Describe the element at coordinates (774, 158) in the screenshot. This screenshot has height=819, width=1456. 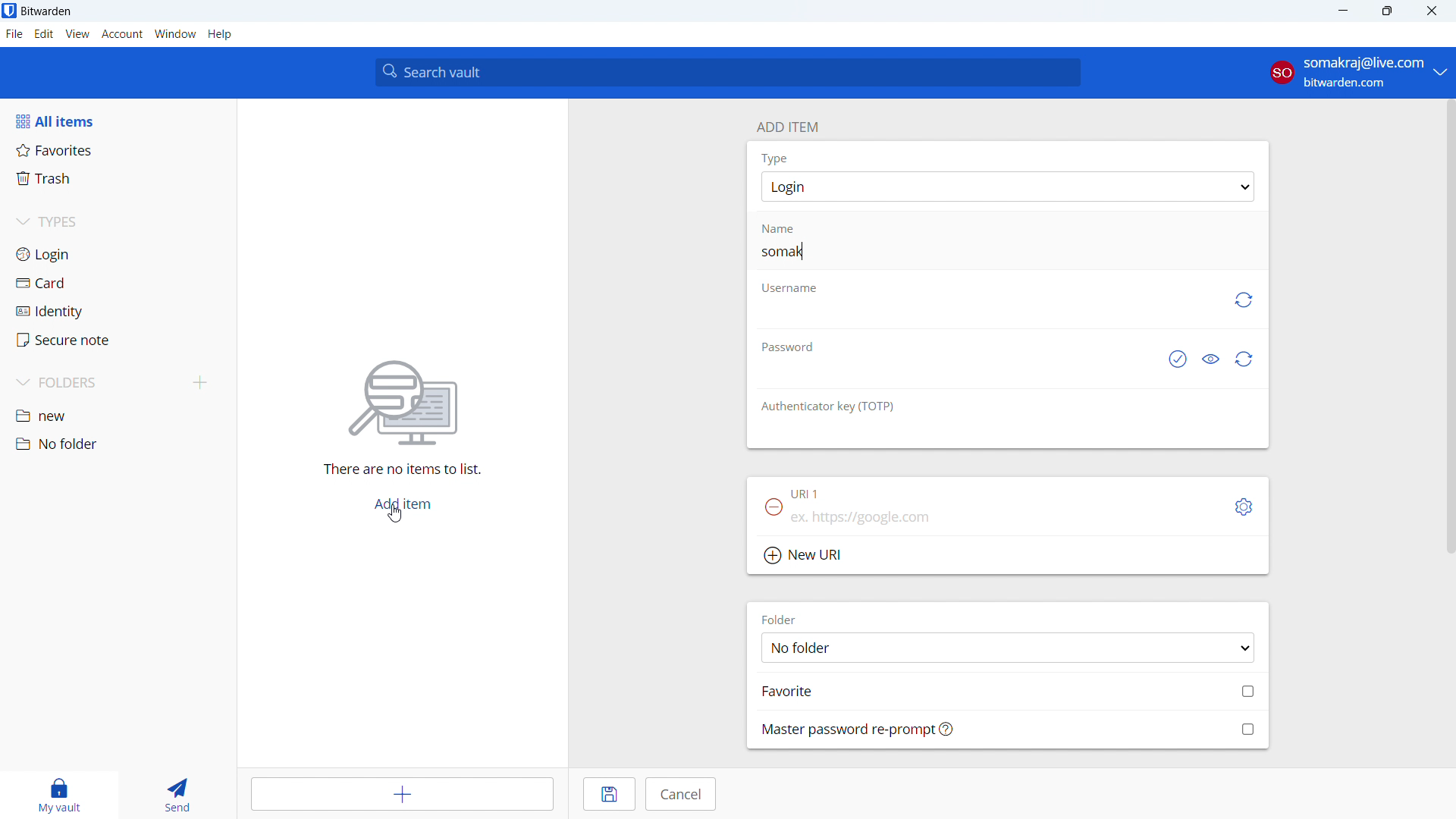
I see `Type` at that location.